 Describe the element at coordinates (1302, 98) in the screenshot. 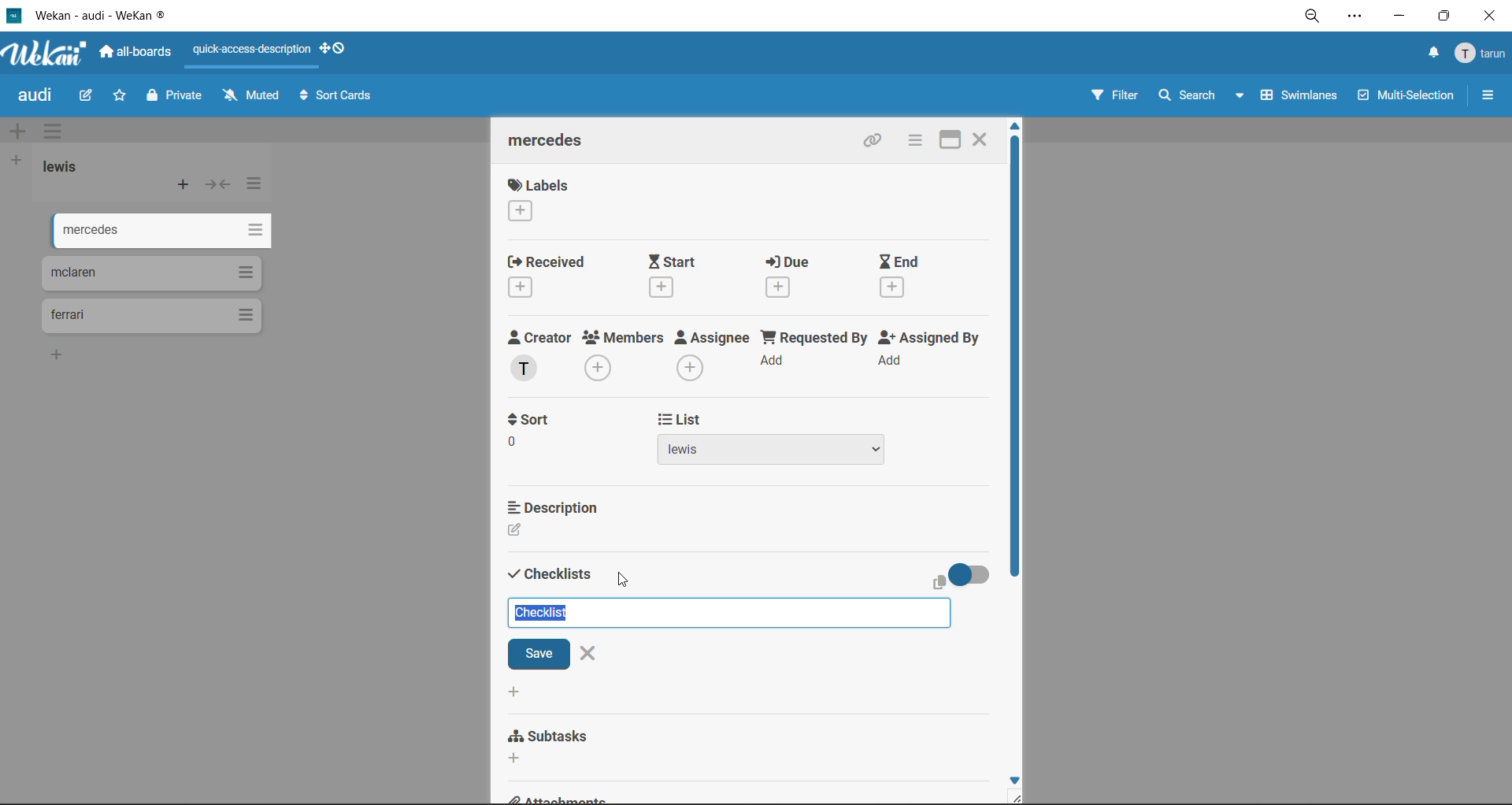

I see `swimlanes` at that location.